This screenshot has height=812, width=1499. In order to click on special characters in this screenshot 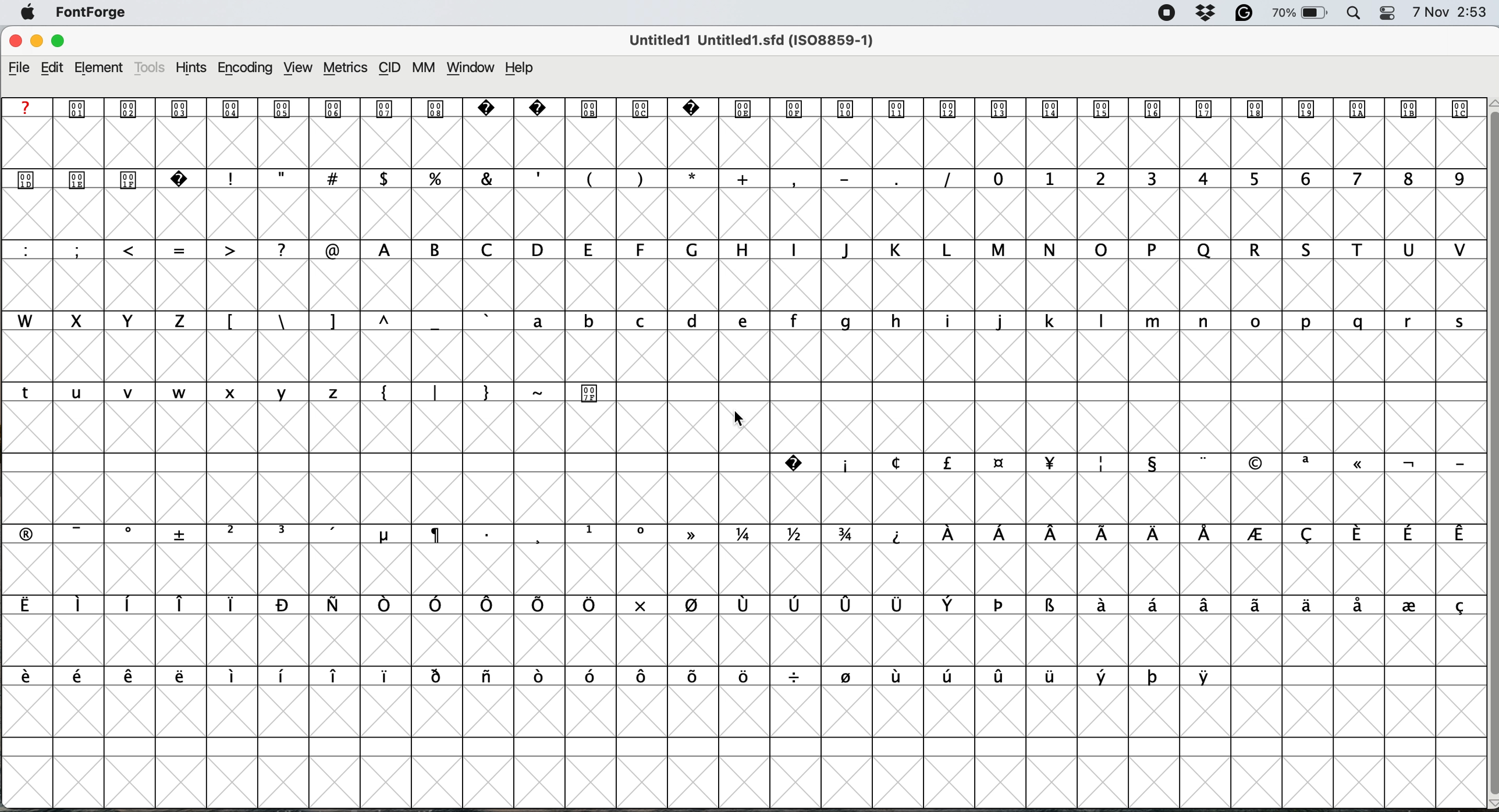, I will do `click(589, 178)`.